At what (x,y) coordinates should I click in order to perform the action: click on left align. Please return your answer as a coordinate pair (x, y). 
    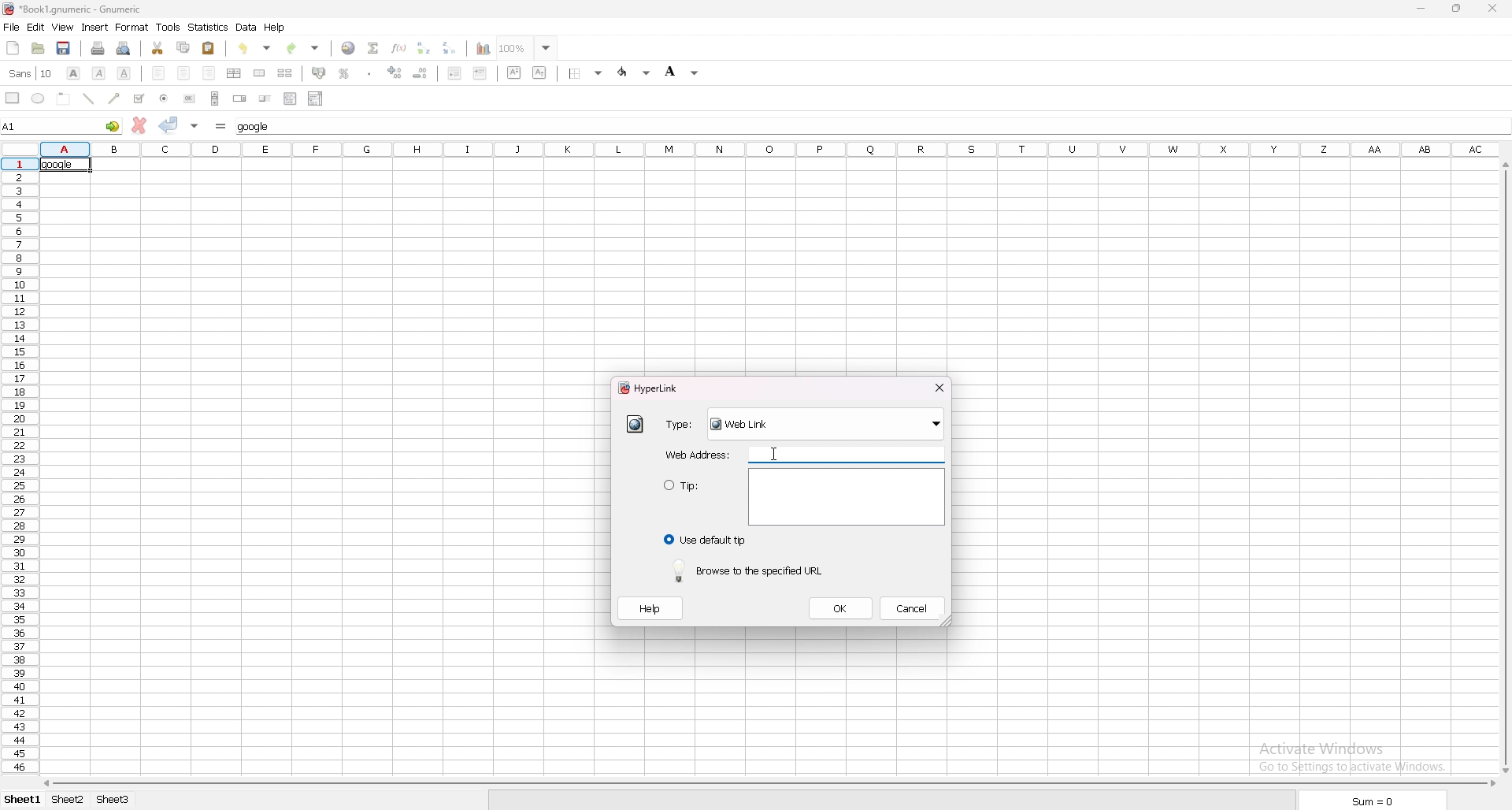
    Looking at the image, I should click on (158, 72).